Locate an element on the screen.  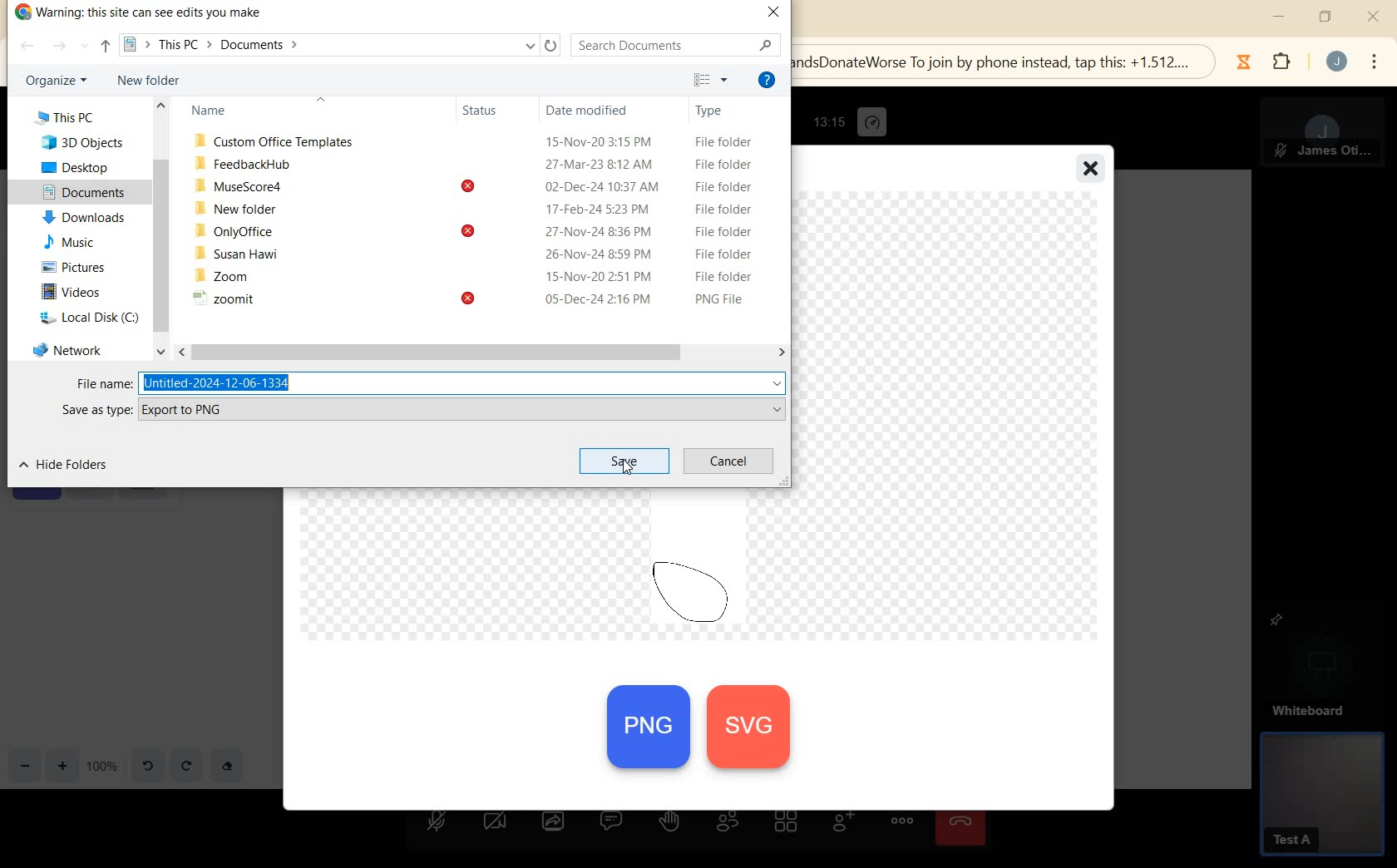
15-Nov-20 2:51 PM is located at coordinates (601, 278).